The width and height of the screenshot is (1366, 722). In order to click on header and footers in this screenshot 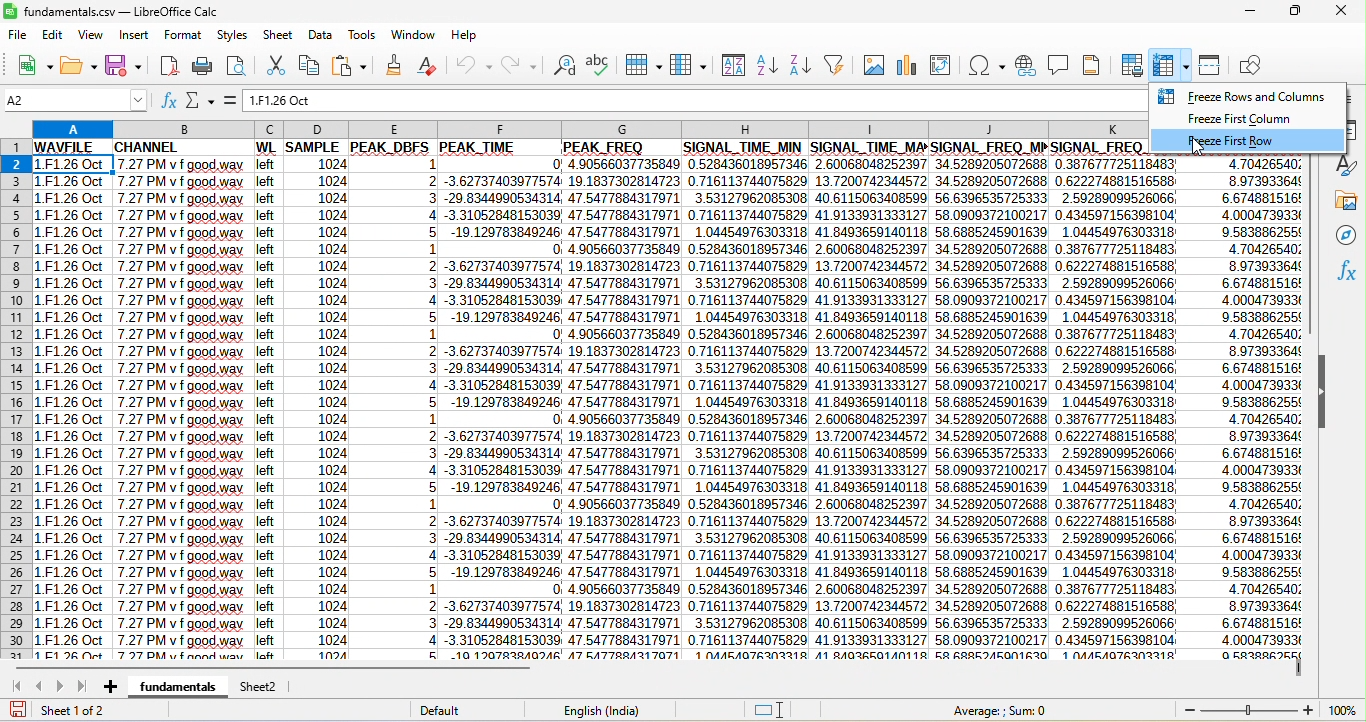, I will do `click(1099, 66)`.